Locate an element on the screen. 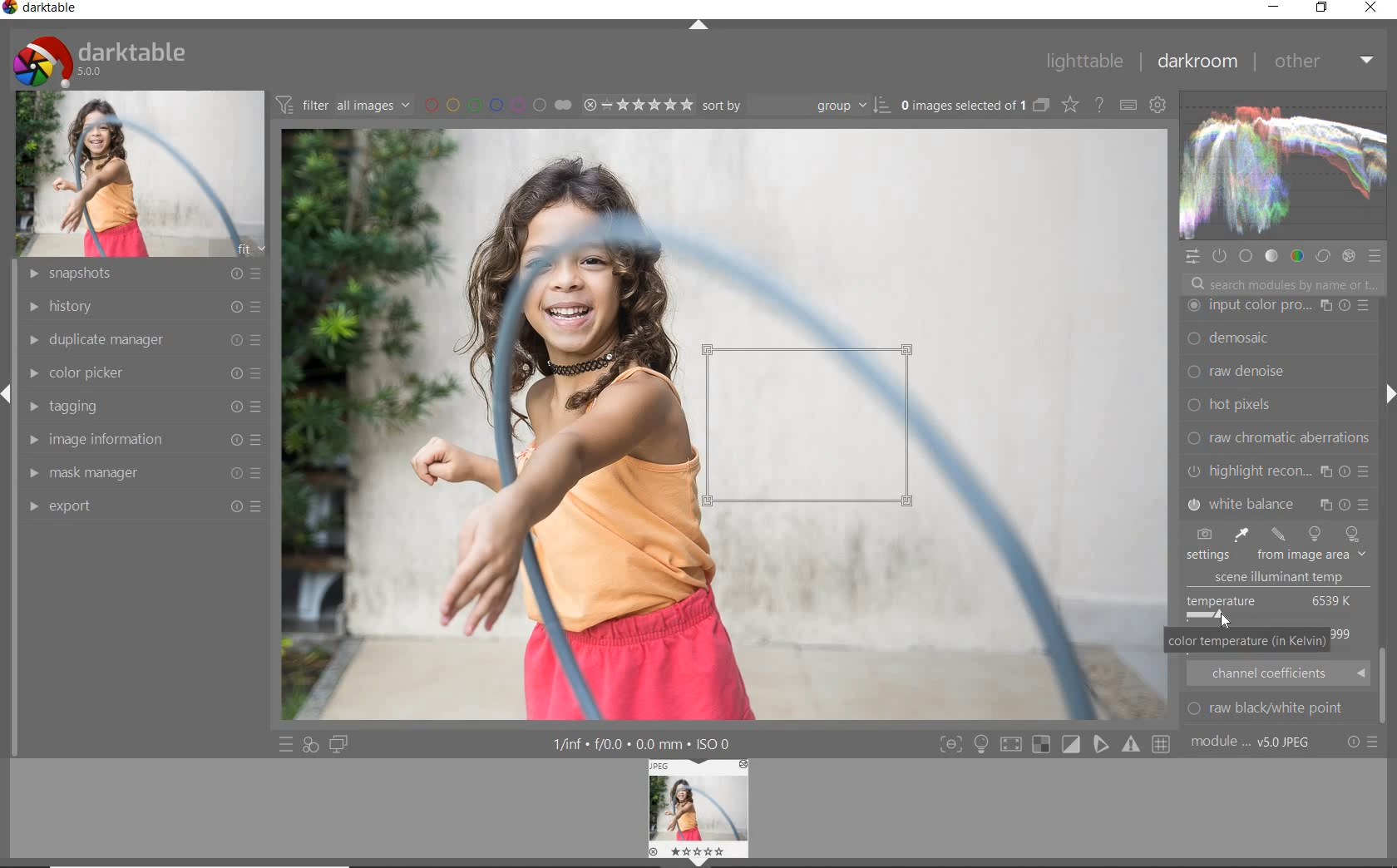 This screenshot has width=1397, height=868. show global preference is located at coordinates (1158, 106).